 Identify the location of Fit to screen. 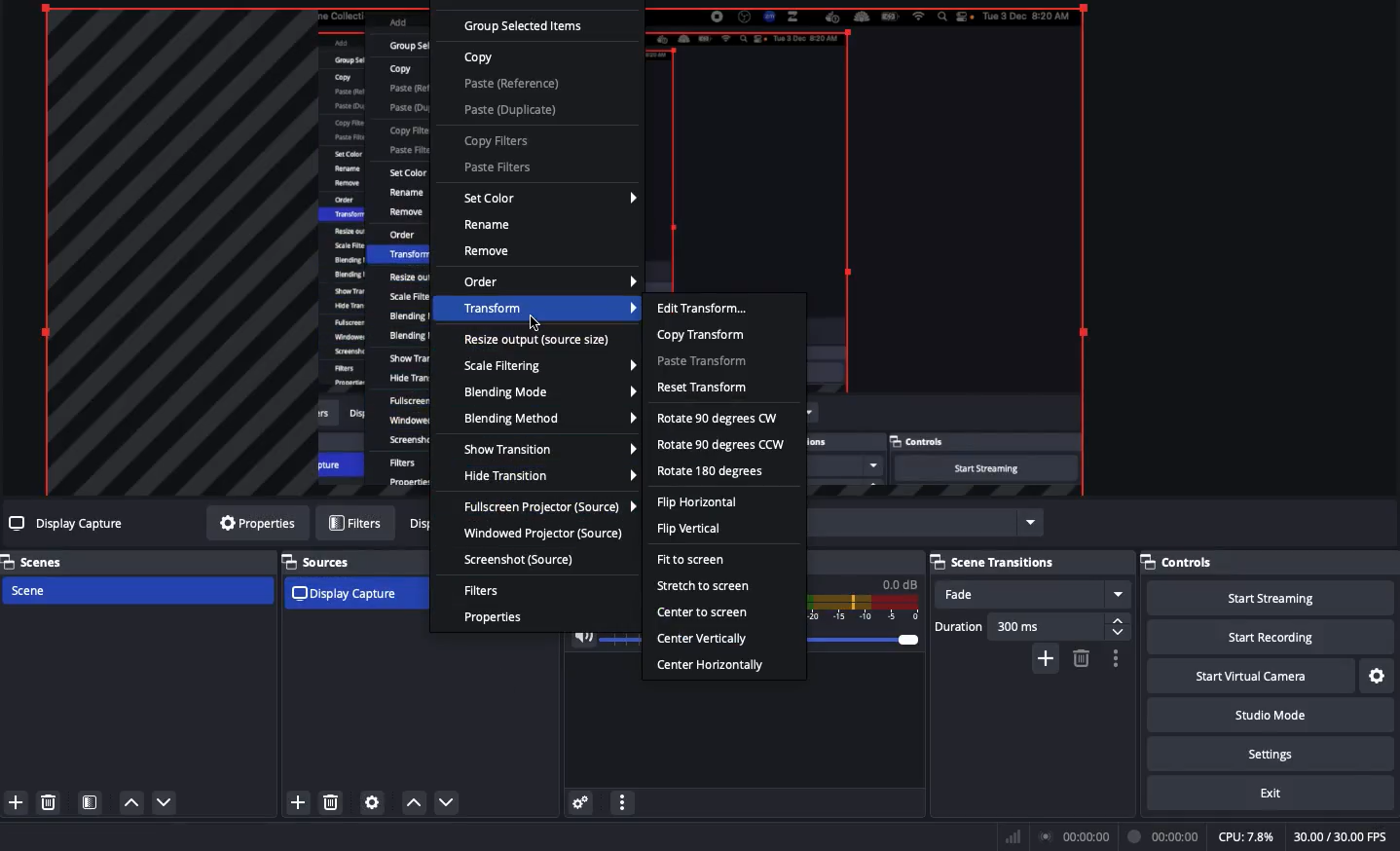
(697, 560).